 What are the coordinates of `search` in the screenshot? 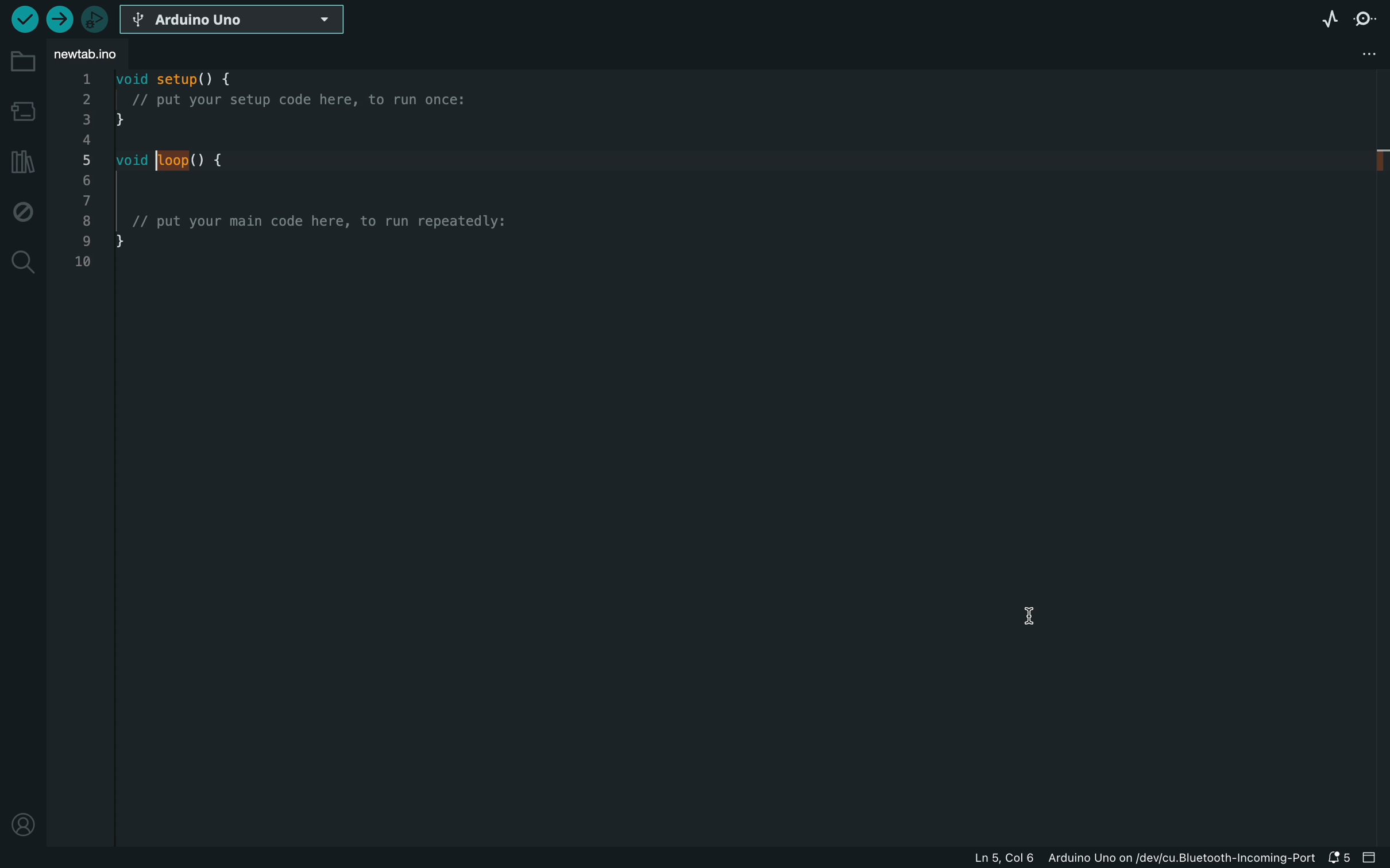 It's located at (21, 259).